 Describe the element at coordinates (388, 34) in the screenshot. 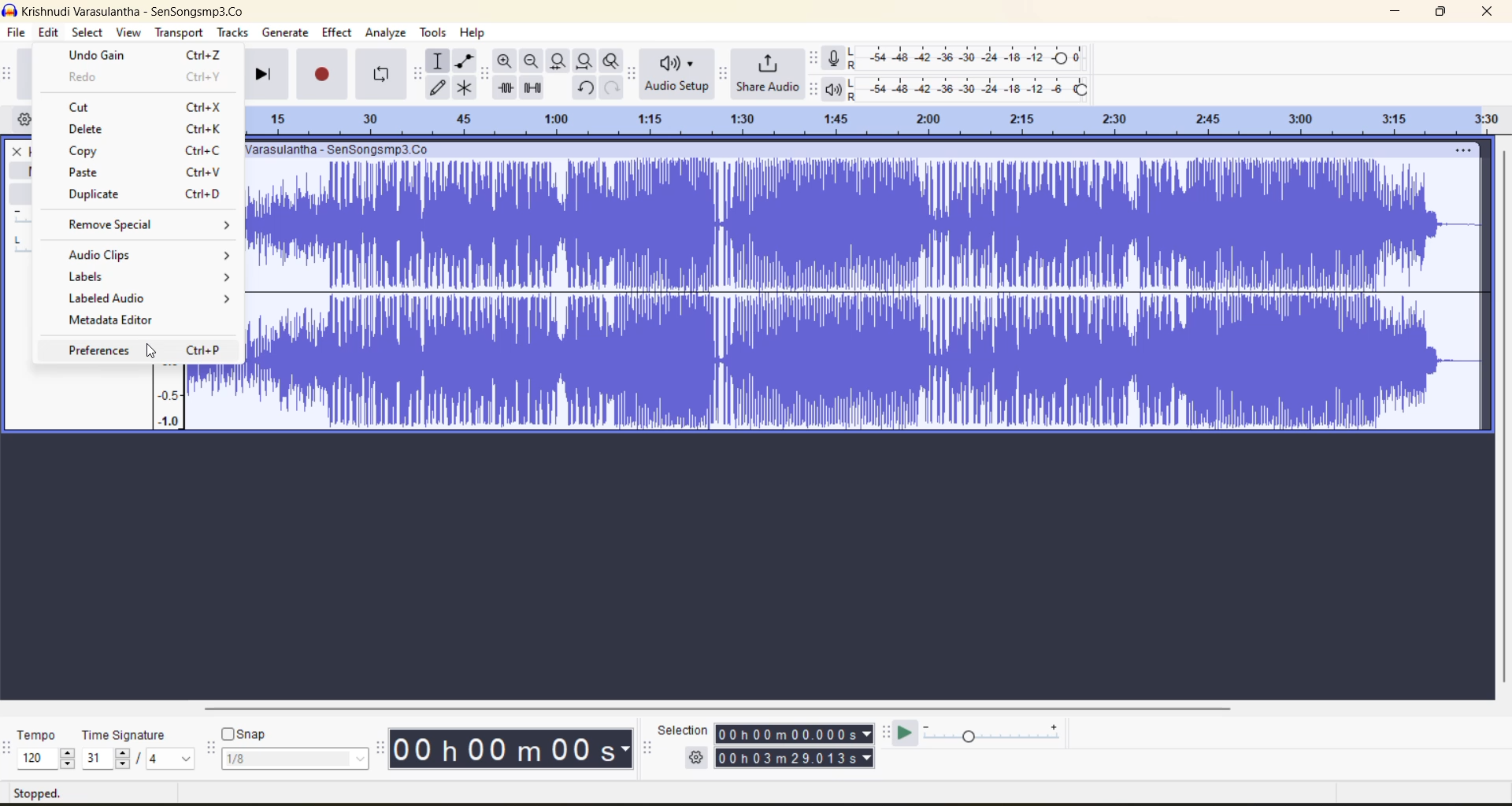

I see `analyze` at that location.